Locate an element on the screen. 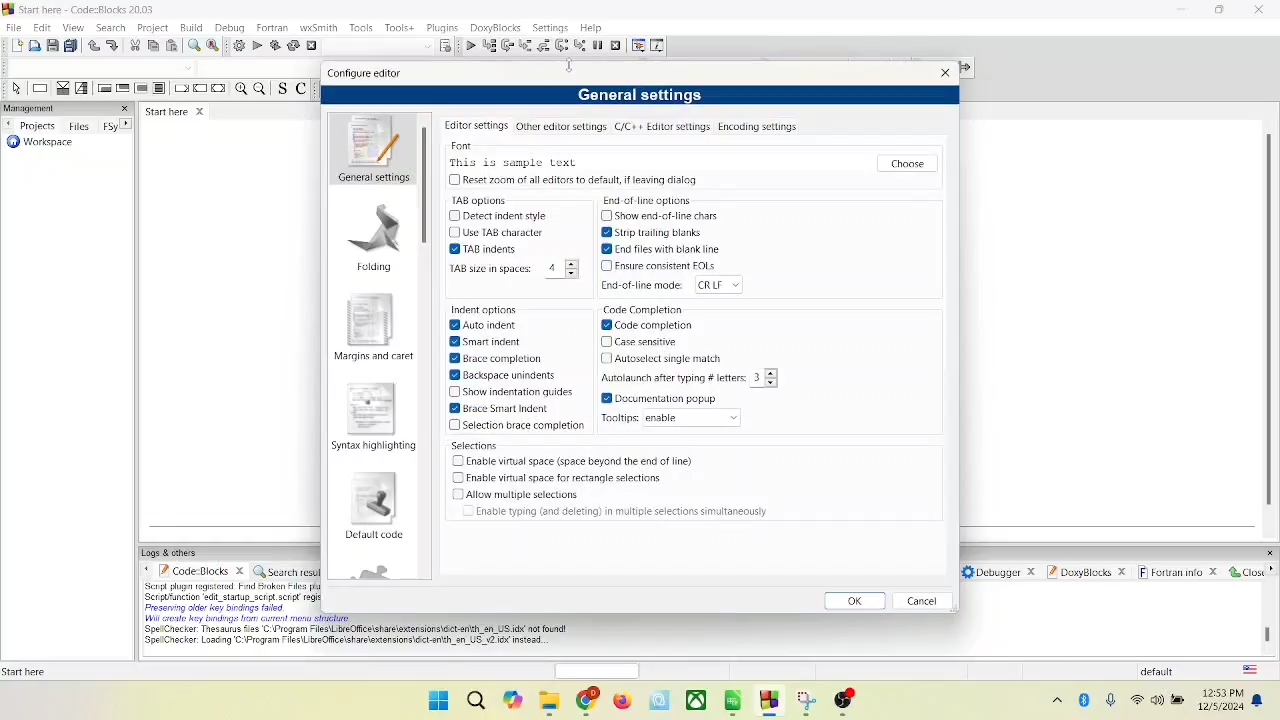 Image resolution: width=1280 pixels, height=720 pixels. project is located at coordinates (153, 29).